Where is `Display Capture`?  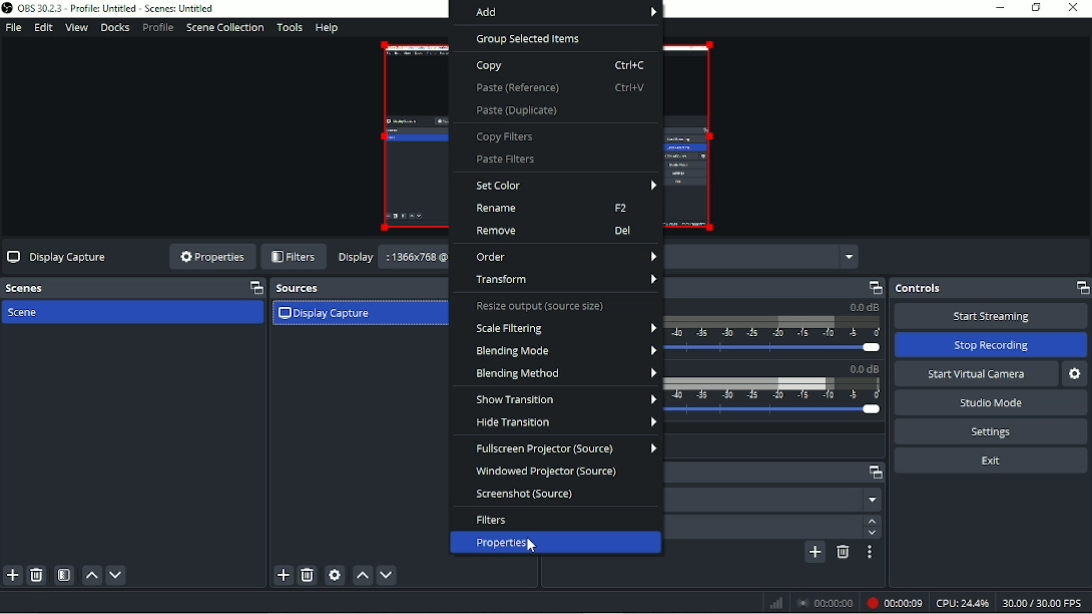 Display Capture is located at coordinates (57, 256).